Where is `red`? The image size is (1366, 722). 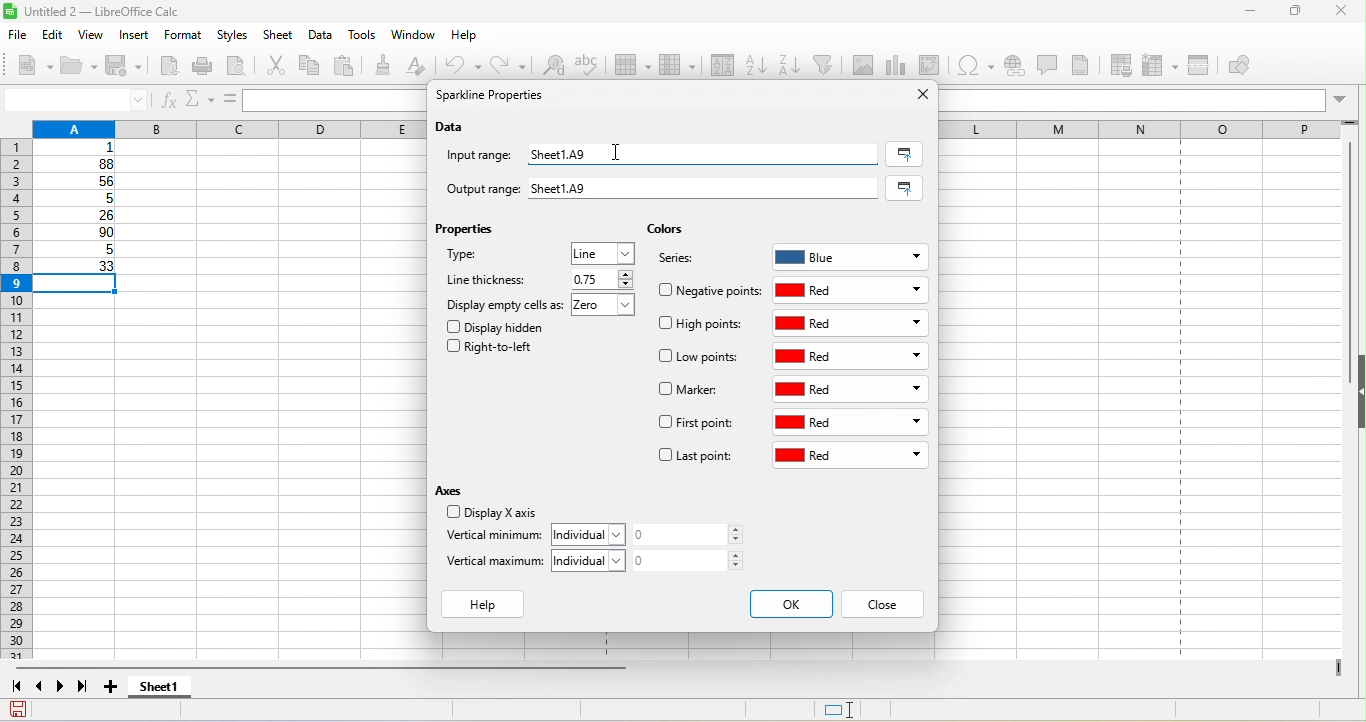 red is located at coordinates (854, 389).